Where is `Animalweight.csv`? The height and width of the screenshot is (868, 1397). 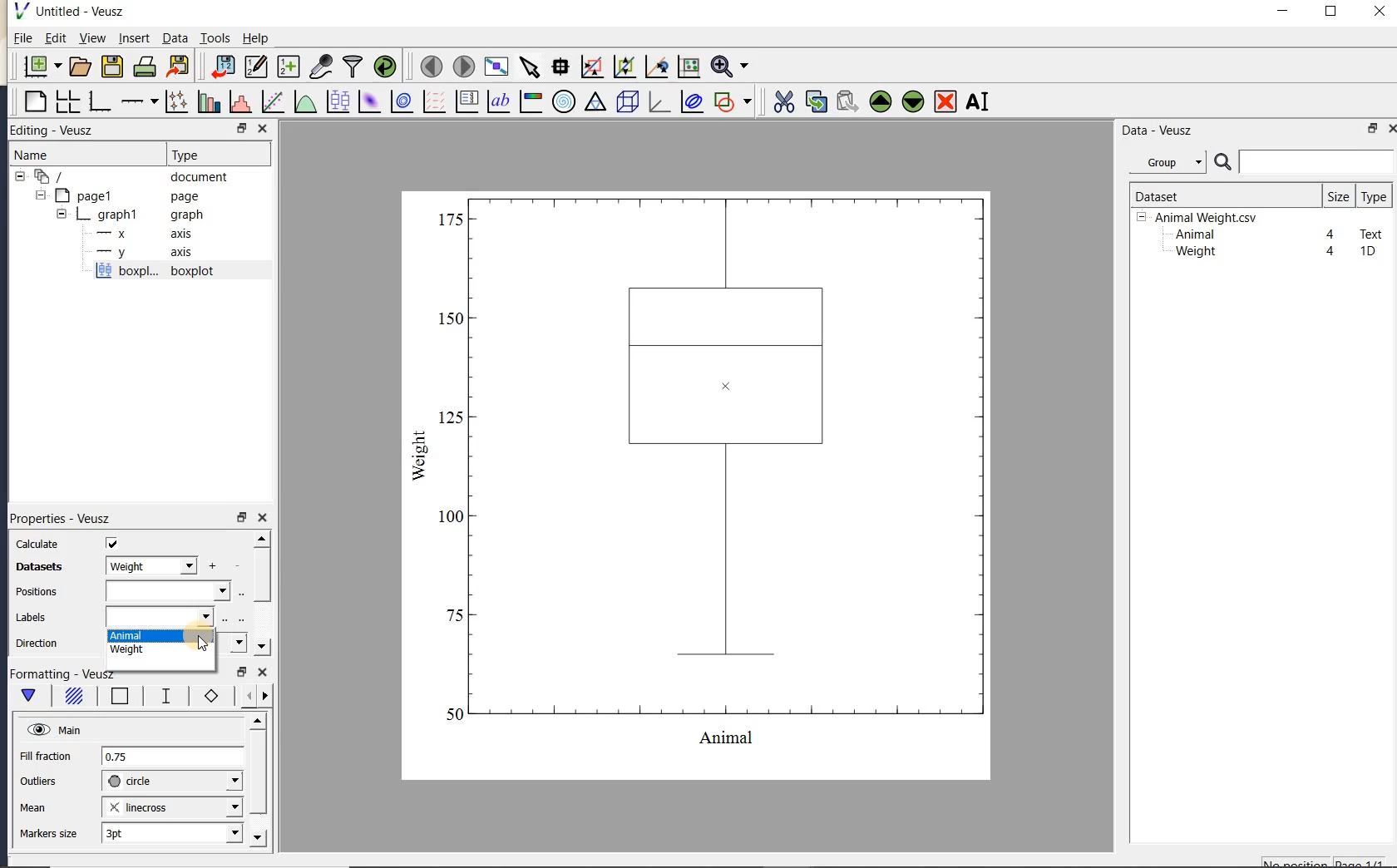
Animalweight.csv is located at coordinates (1201, 218).